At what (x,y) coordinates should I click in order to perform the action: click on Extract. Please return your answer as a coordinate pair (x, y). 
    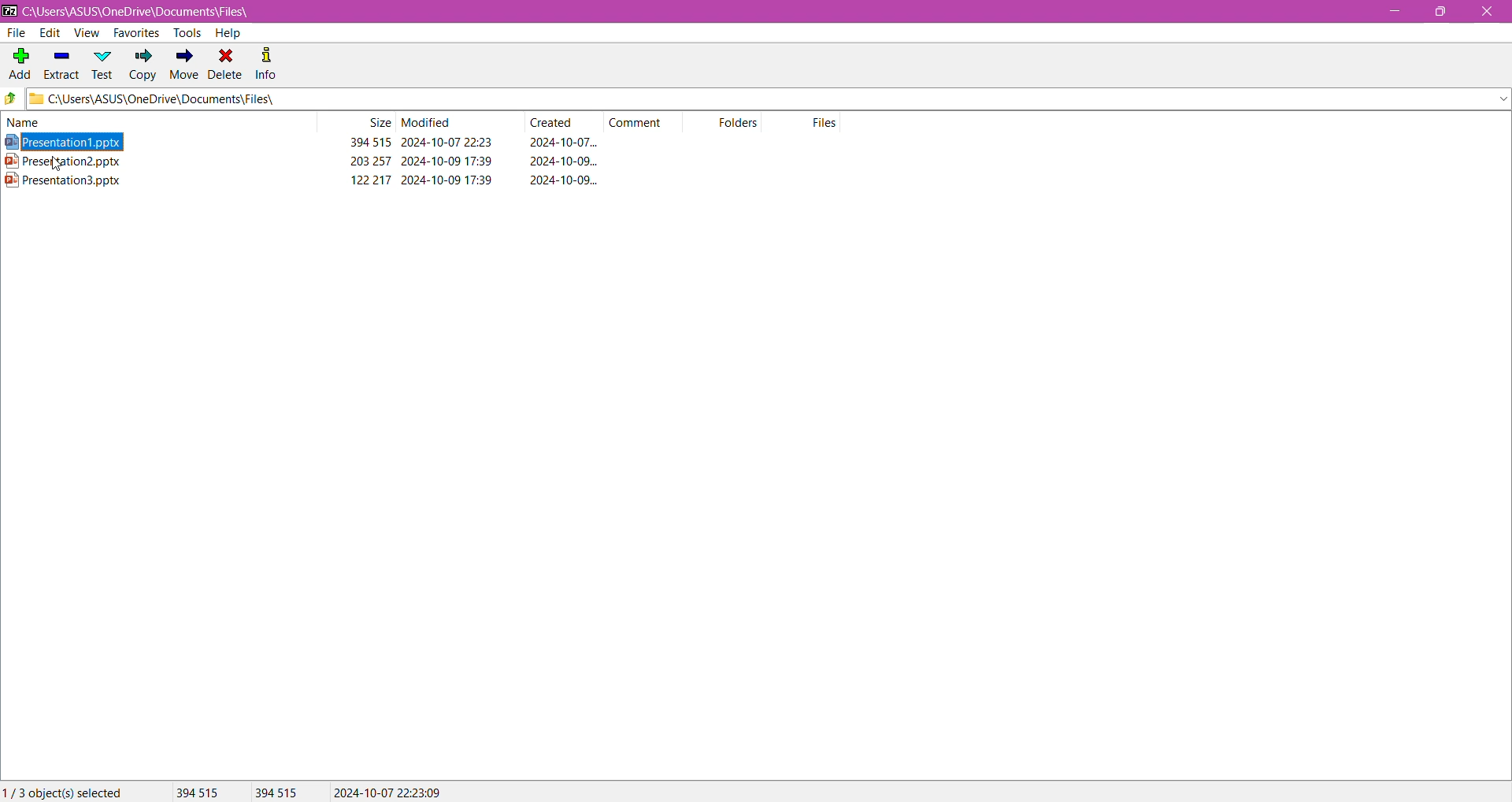
    Looking at the image, I should click on (61, 61).